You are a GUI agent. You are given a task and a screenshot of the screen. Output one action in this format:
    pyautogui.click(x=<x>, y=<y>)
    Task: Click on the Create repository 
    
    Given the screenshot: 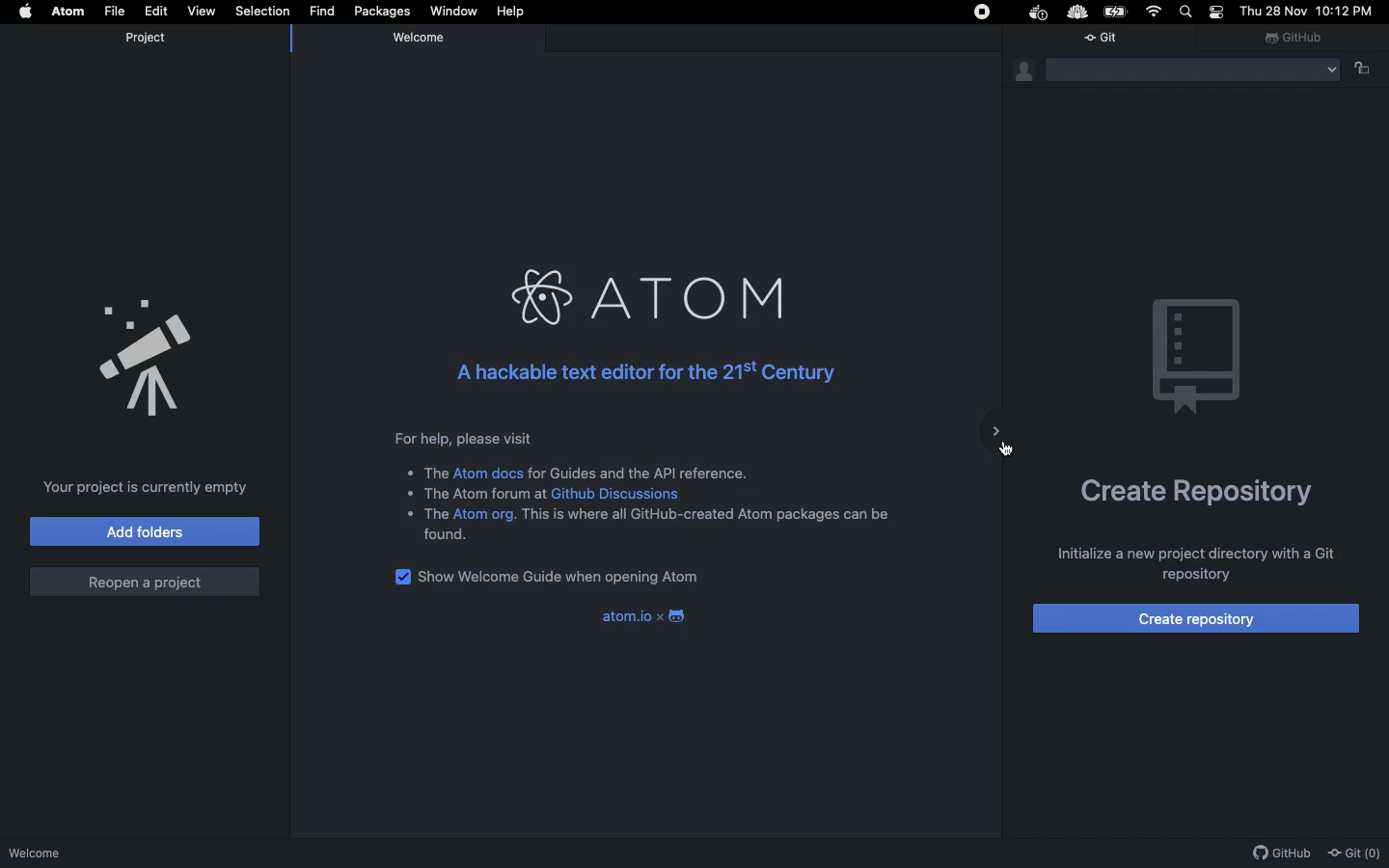 What is the action you would take?
    pyautogui.click(x=1198, y=489)
    